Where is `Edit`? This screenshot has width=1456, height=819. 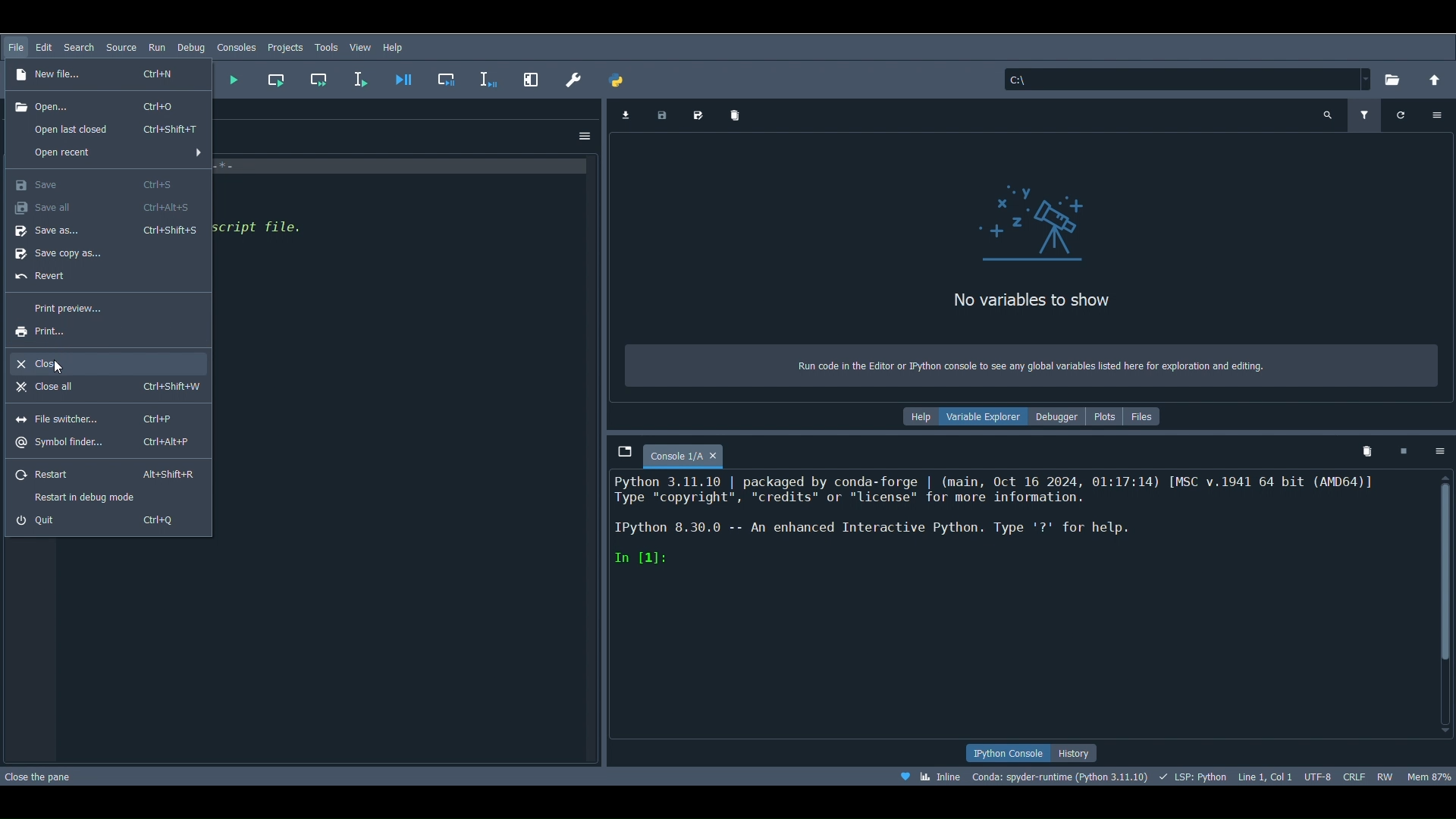
Edit is located at coordinates (45, 45).